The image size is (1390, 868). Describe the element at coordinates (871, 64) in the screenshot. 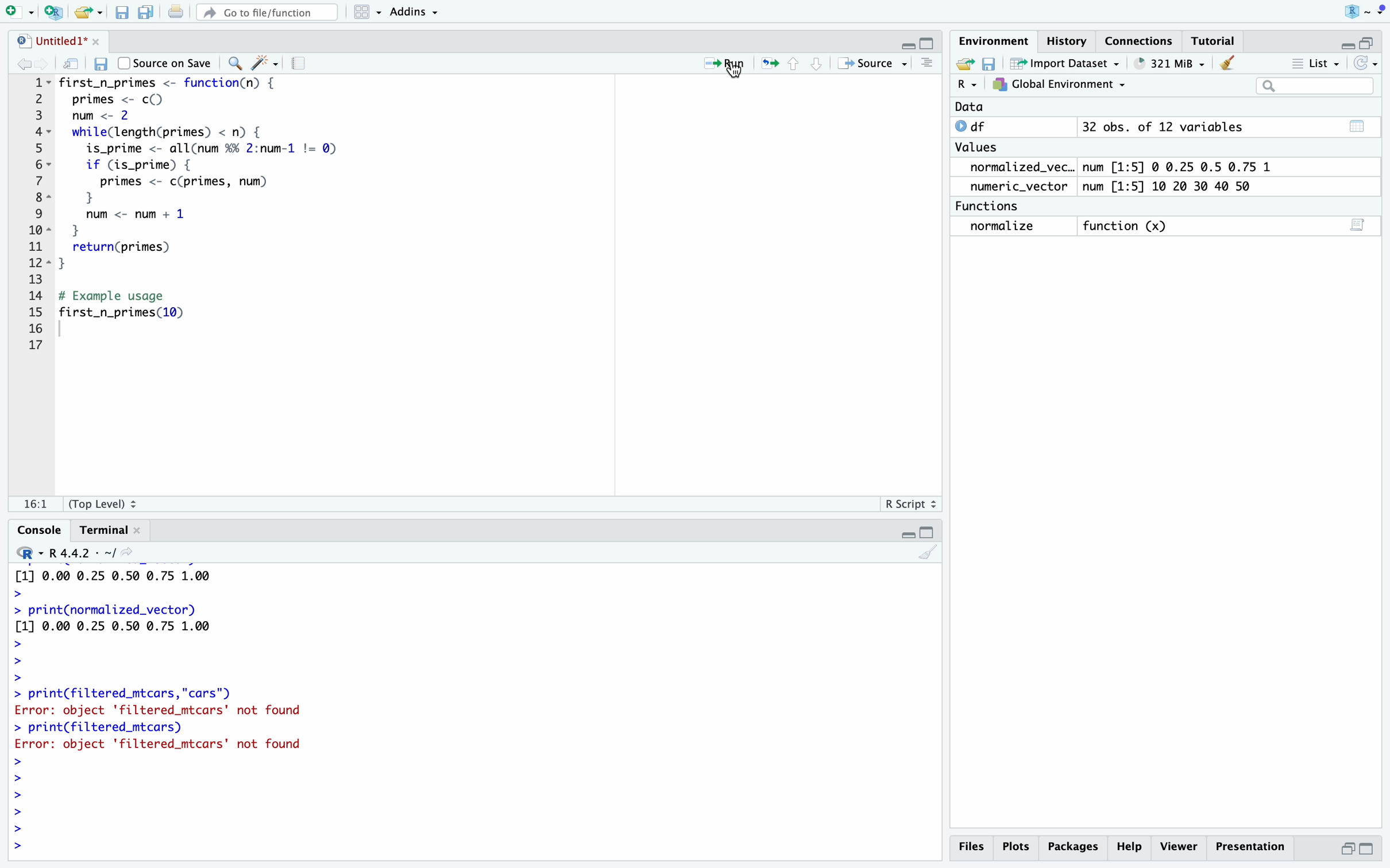

I see `+» Source -` at that location.